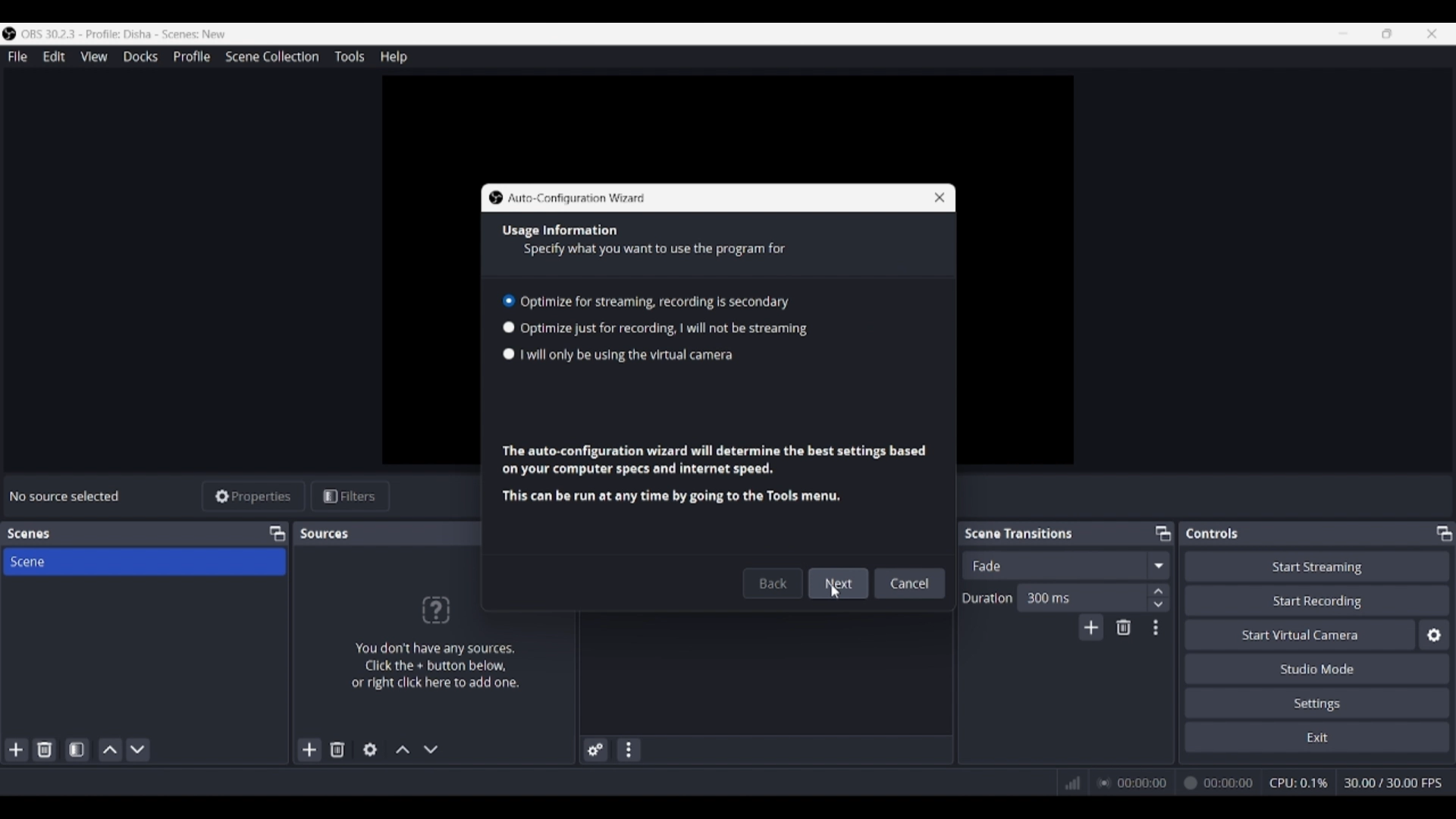 The image size is (1456, 819). I want to click on Configure virtual camera, so click(1434, 635).